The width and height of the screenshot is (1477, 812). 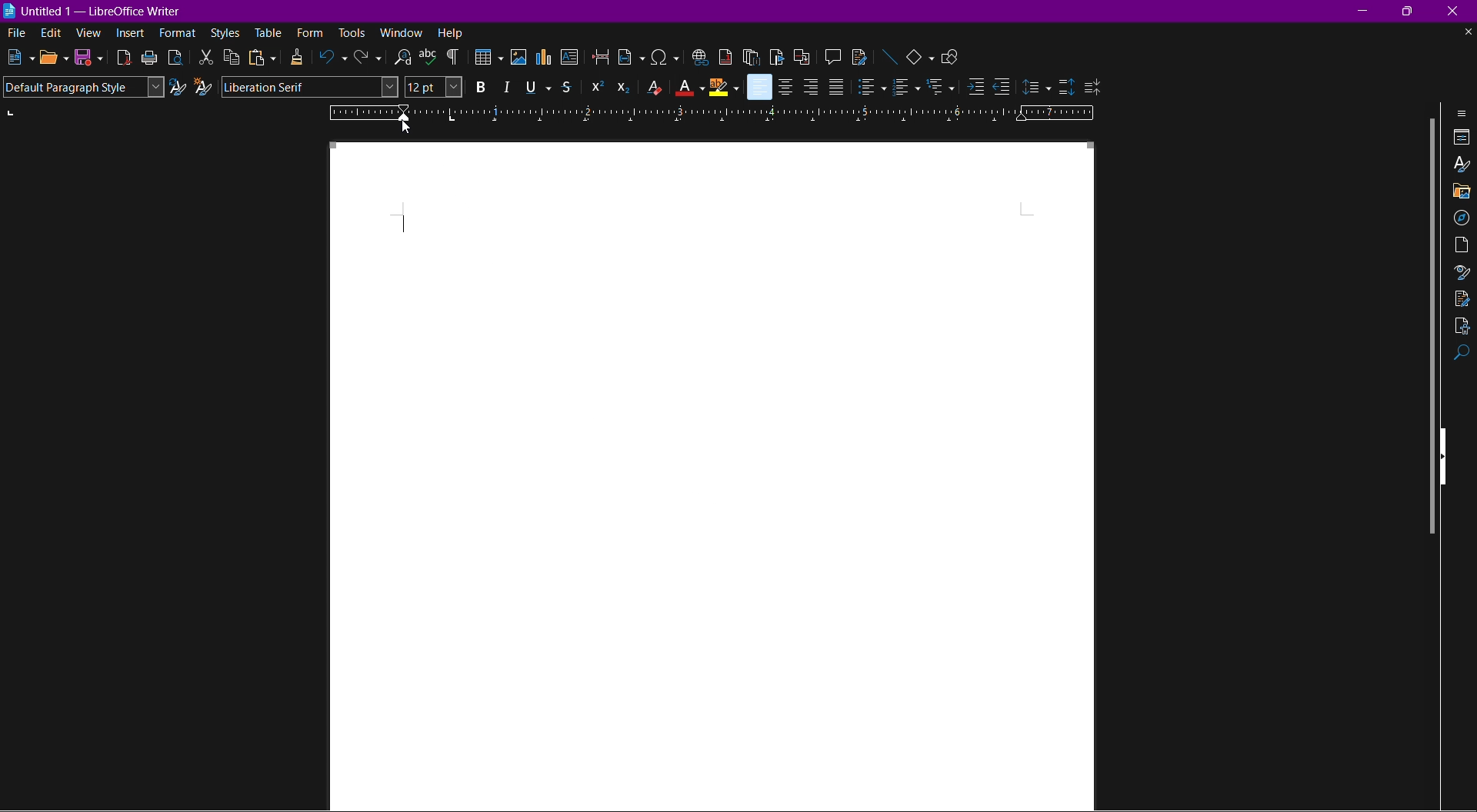 I want to click on close current document, so click(x=1467, y=32).